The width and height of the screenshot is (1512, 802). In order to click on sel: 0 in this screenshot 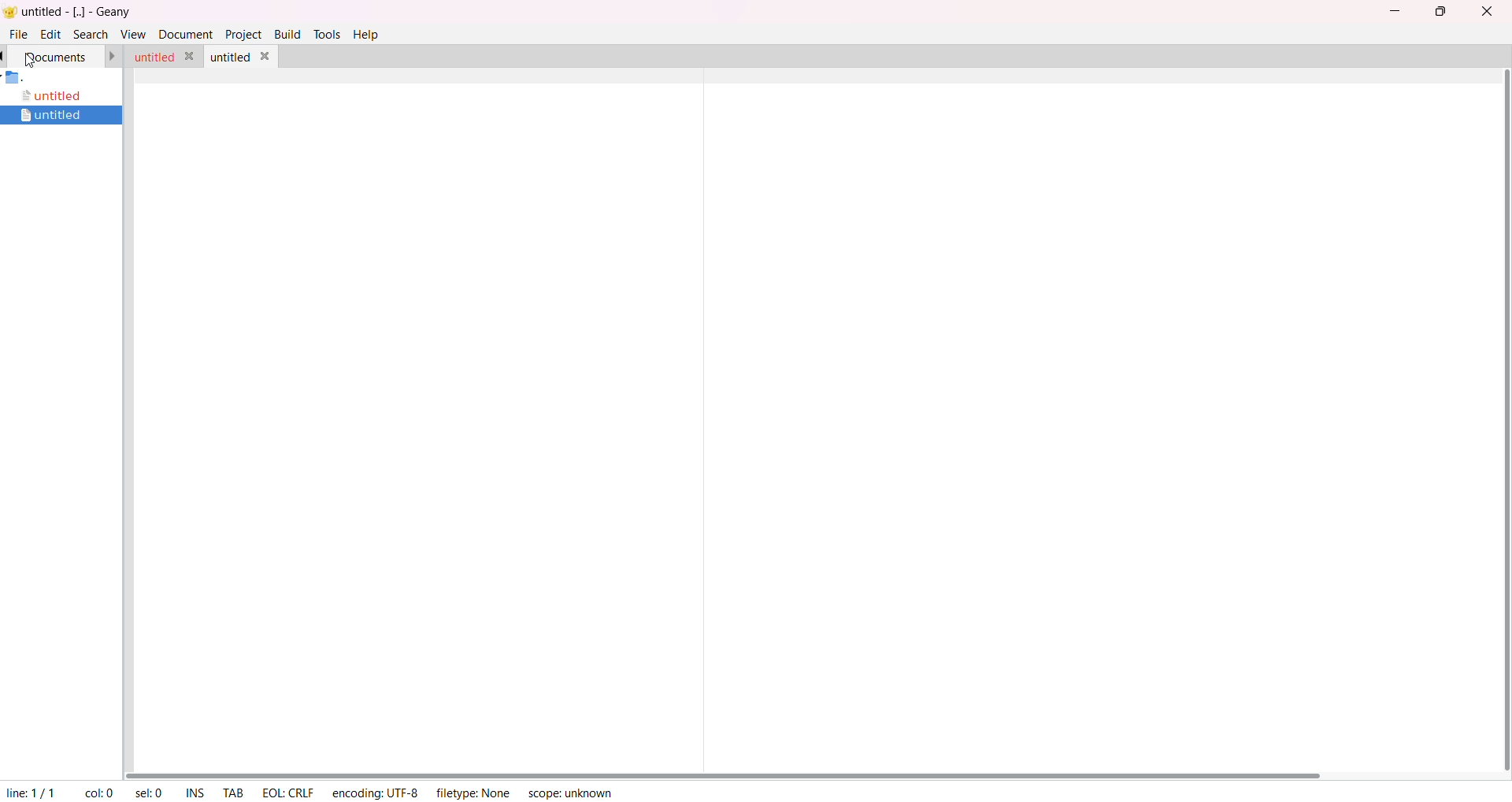, I will do `click(148, 790)`.